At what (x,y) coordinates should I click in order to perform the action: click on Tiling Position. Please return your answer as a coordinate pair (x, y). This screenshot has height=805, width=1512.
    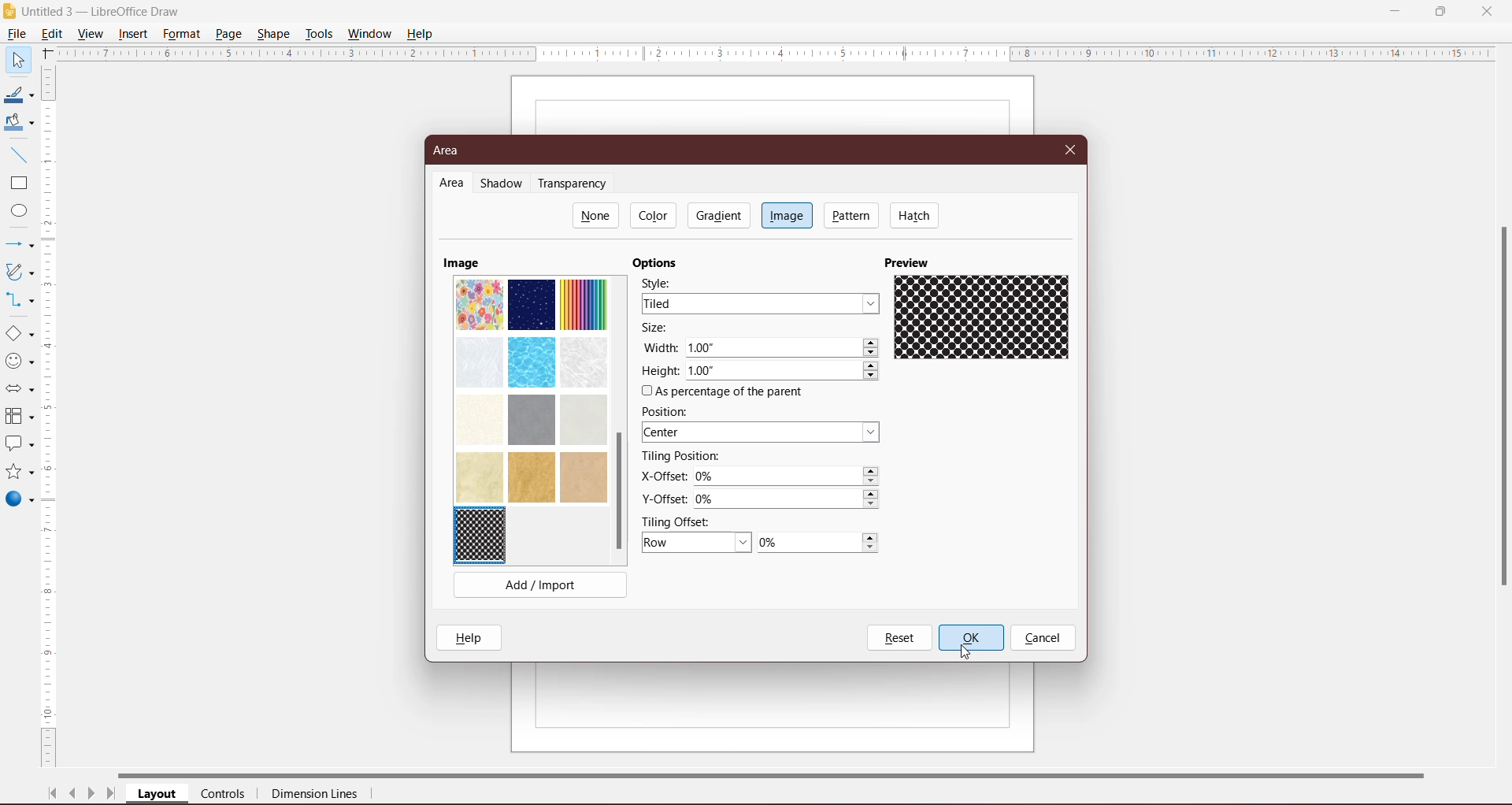
    Looking at the image, I should click on (681, 456).